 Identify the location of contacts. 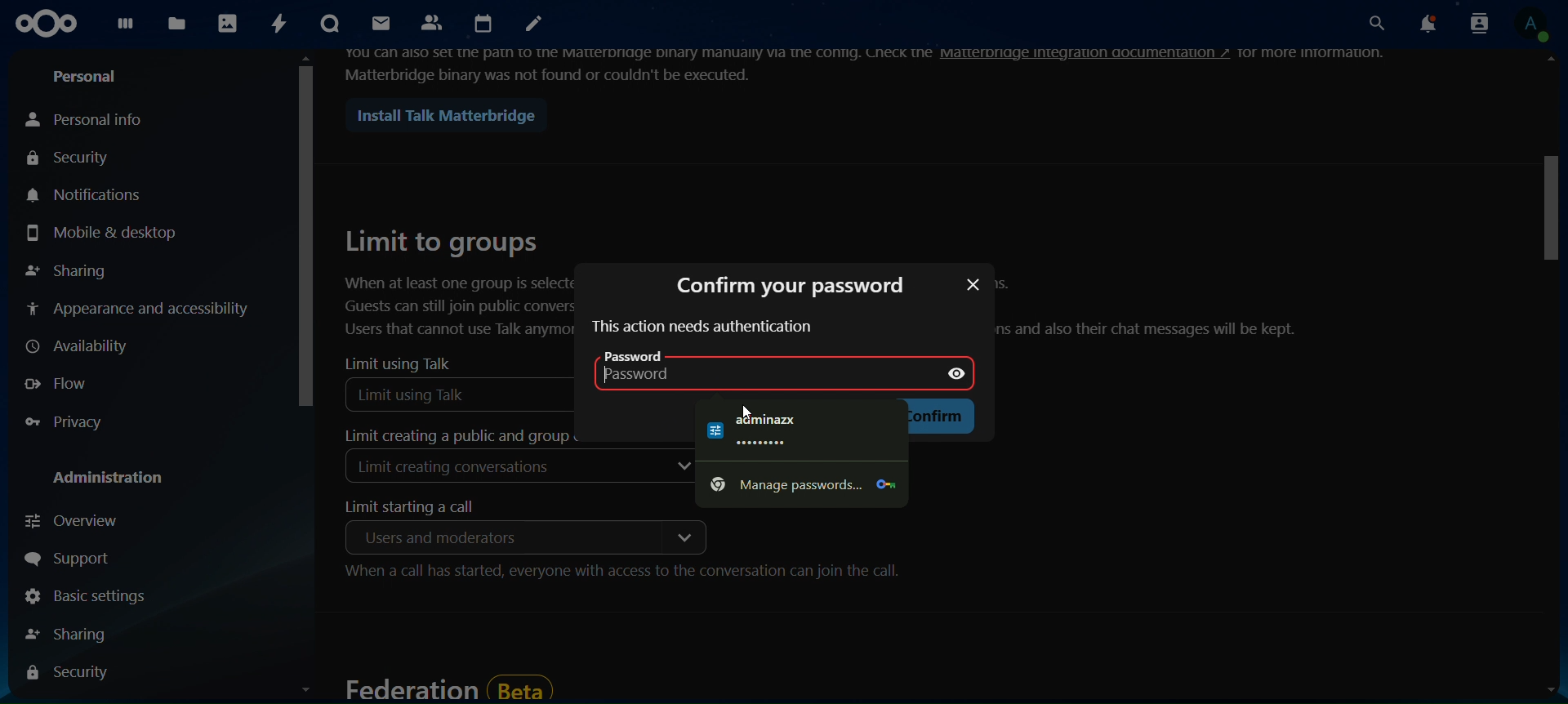
(433, 21).